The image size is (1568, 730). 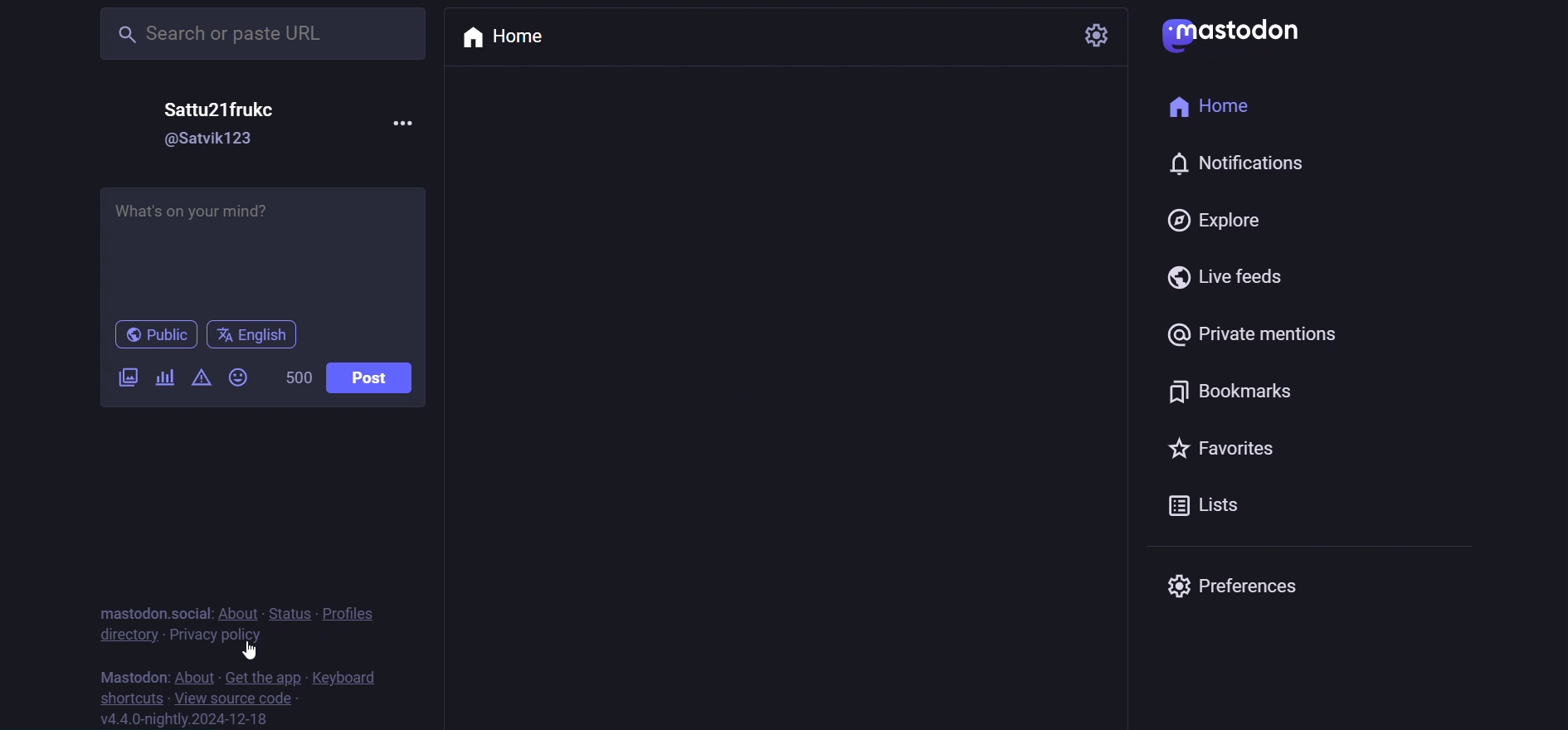 What do you see at coordinates (1206, 508) in the screenshot?
I see `lists` at bounding box center [1206, 508].